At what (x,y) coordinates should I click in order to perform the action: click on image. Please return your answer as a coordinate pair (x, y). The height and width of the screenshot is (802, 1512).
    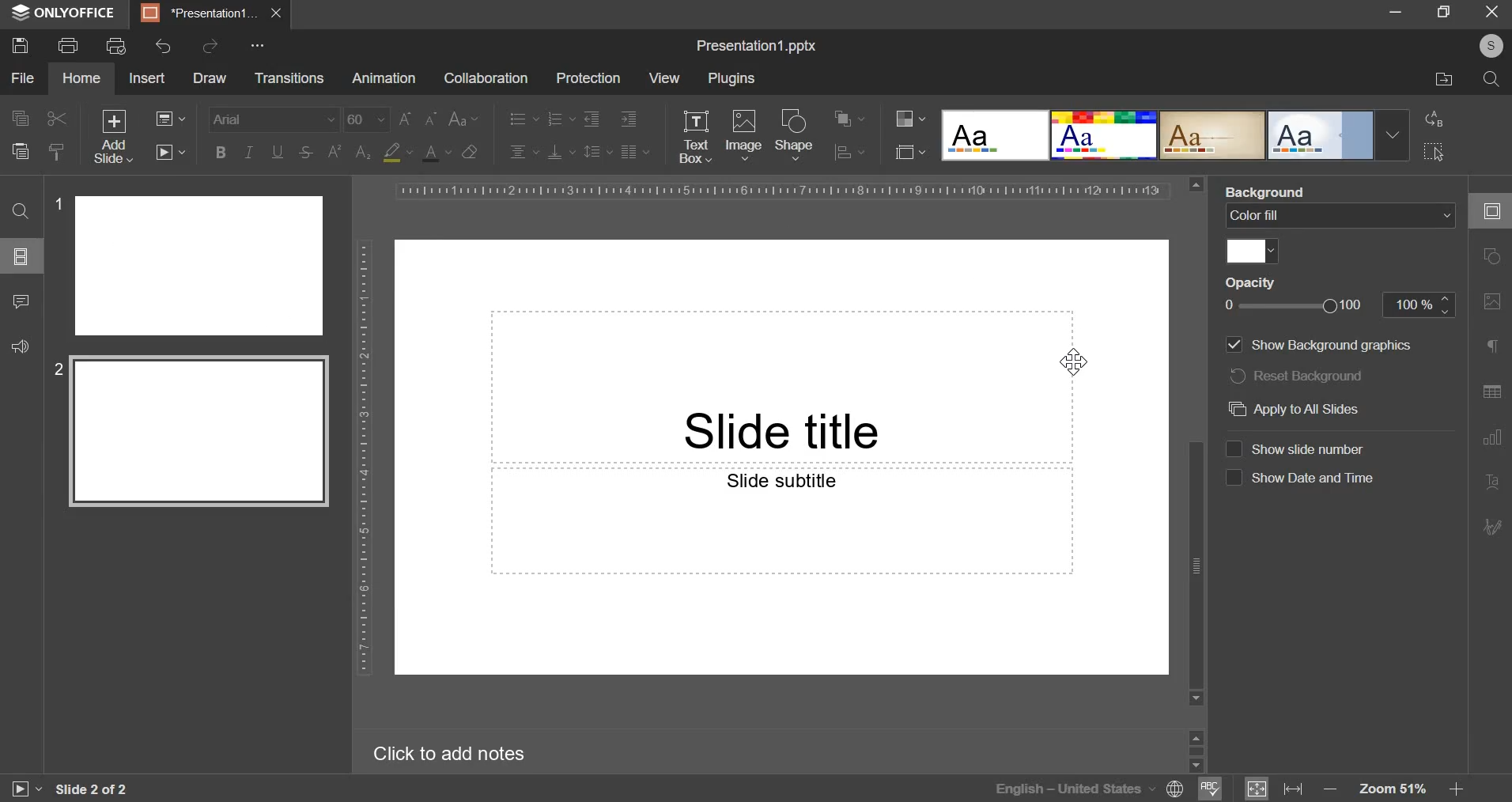
    Looking at the image, I should click on (744, 133).